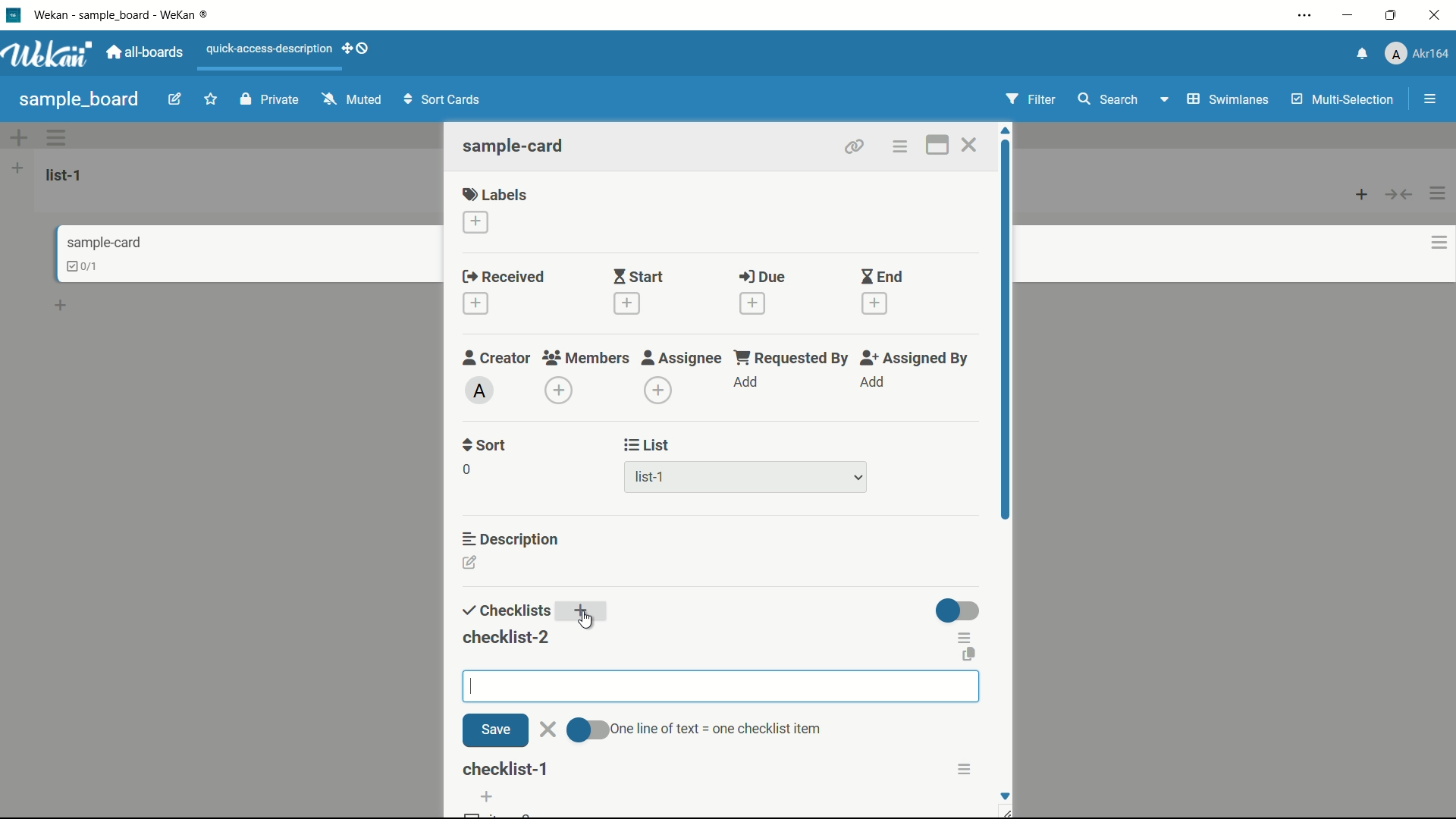  What do you see at coordinates (17, 137) in the screenshot?
I see `add swimlane` at bounding box center [17, 137].